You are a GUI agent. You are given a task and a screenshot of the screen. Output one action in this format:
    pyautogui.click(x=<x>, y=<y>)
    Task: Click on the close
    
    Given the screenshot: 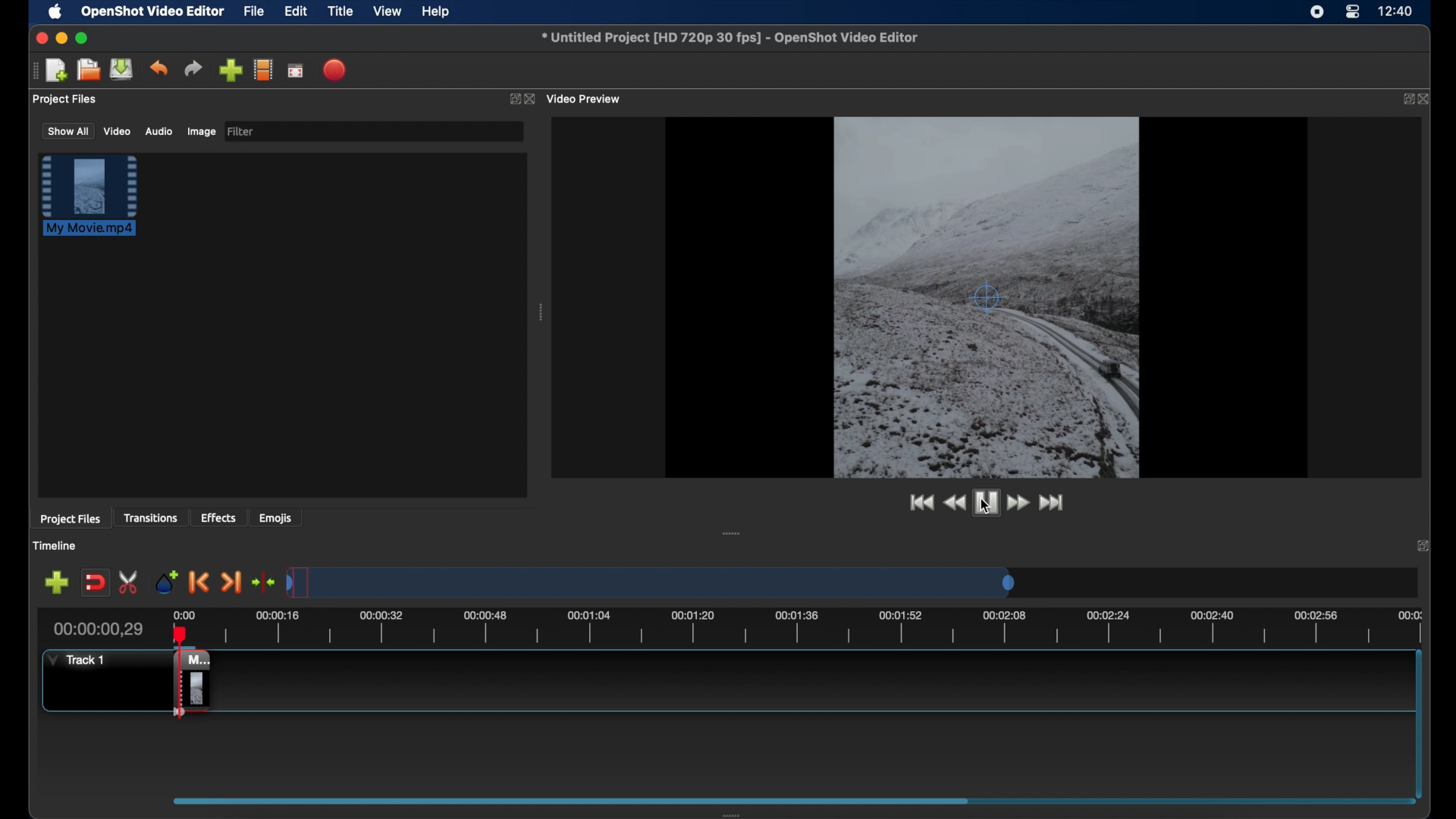 What is the action you would take?
    pyautogui.click(x=530, y=99)
    